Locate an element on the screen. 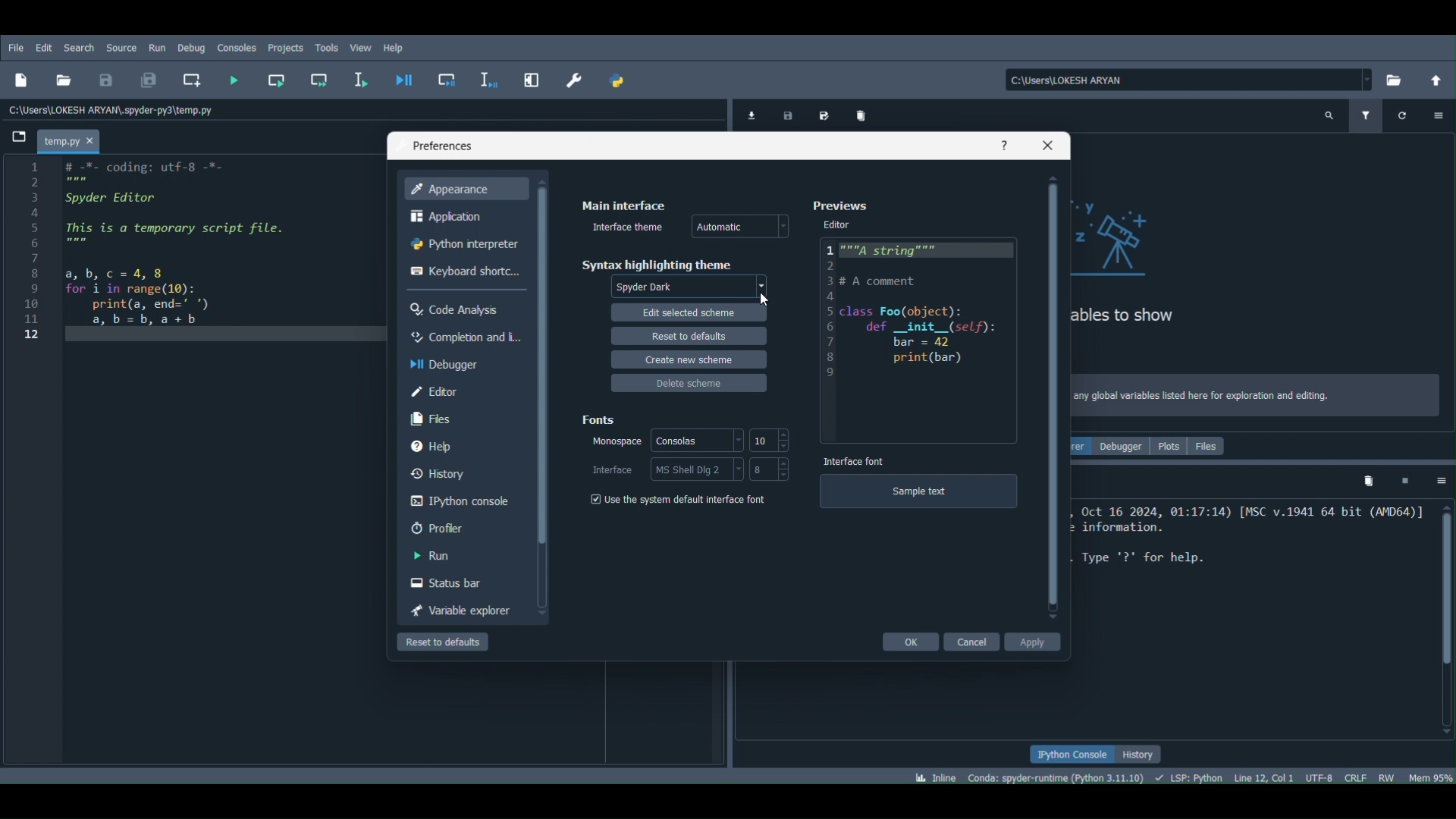  Main Interface is located at coordinates (623, 201).